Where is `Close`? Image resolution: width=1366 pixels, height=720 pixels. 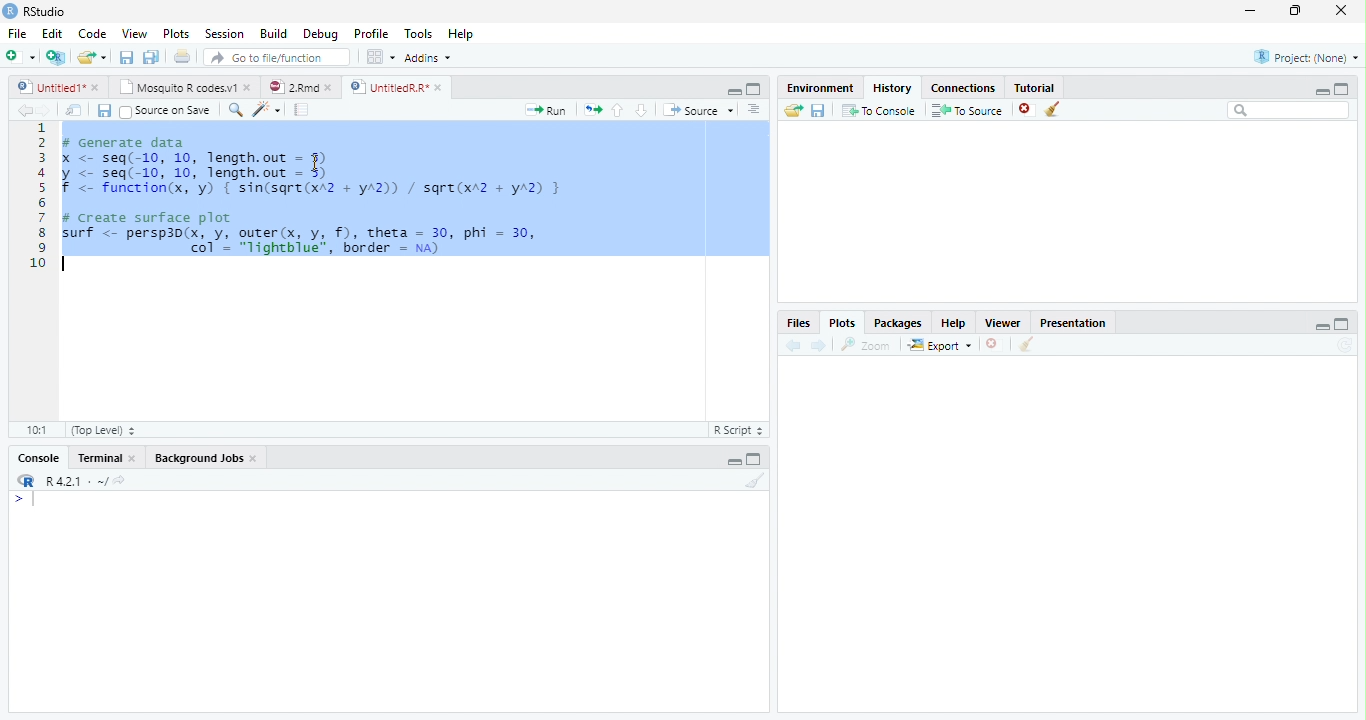 Close is located at coordinates (133, 458).